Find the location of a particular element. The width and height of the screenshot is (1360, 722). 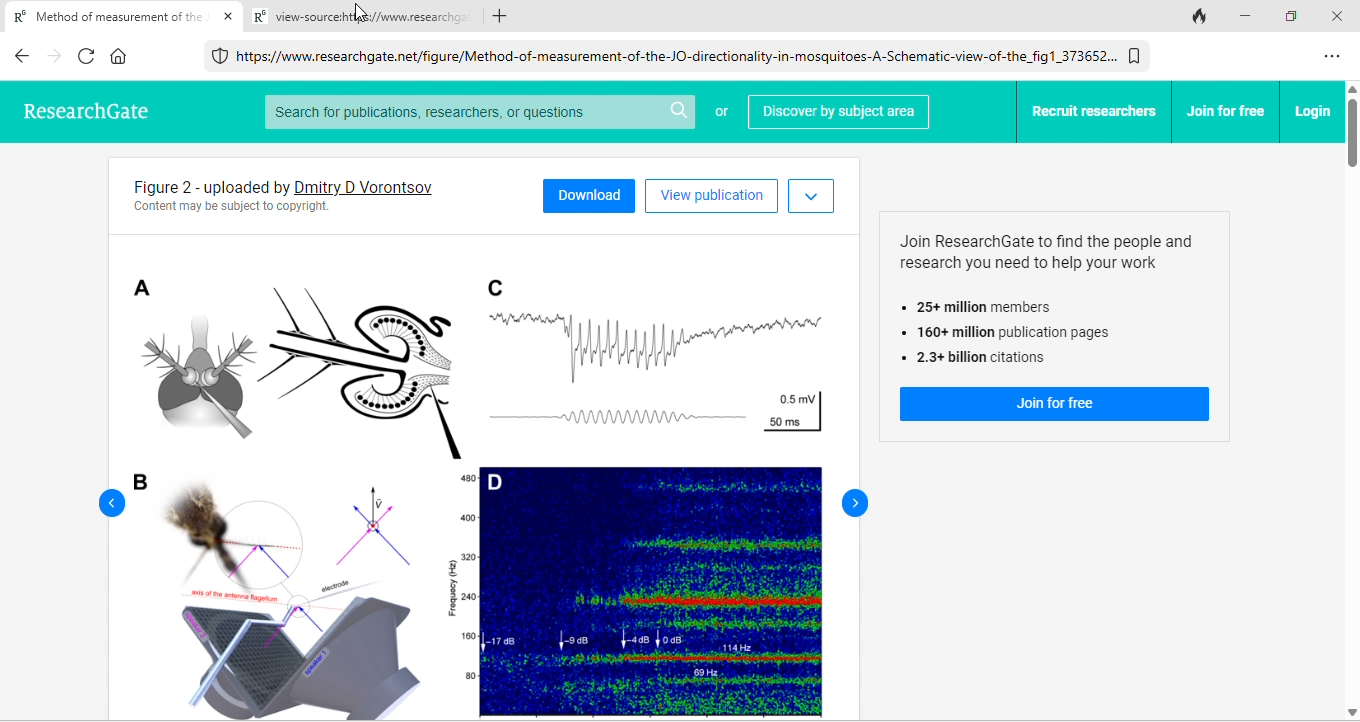

add is located at coordinates (503, 17).